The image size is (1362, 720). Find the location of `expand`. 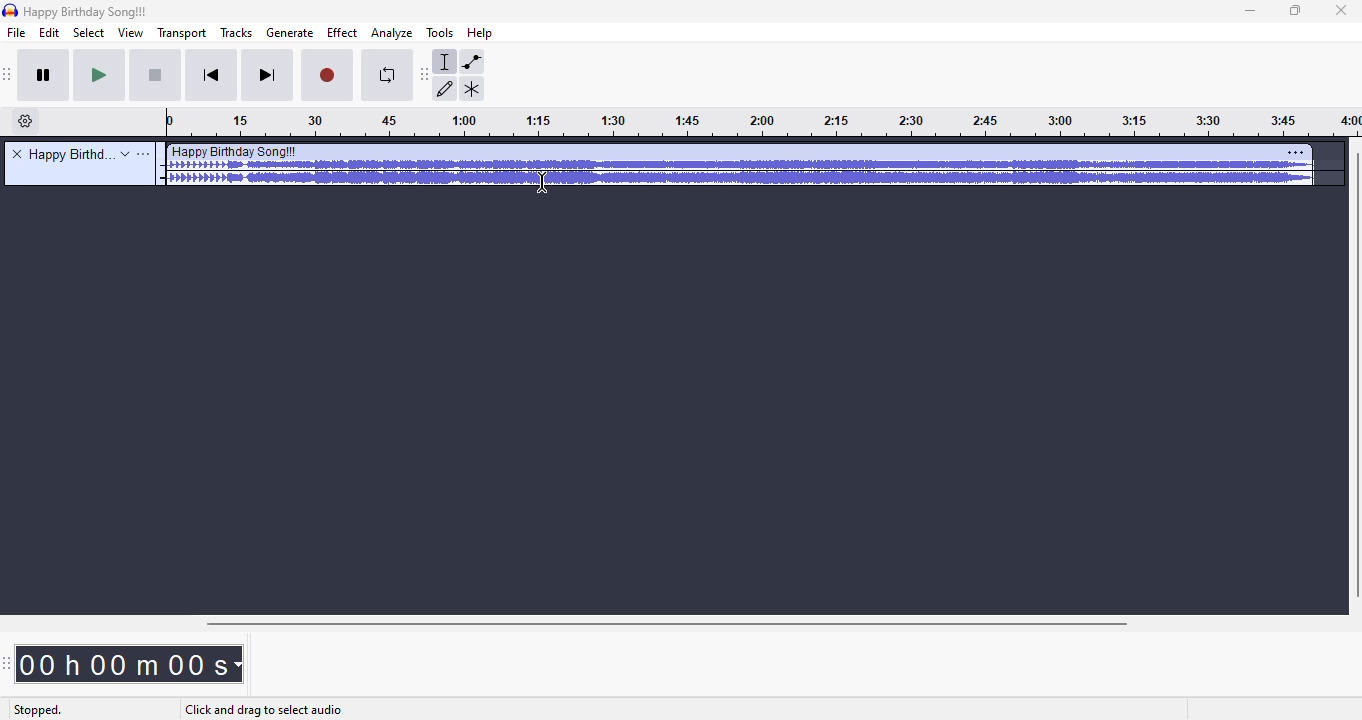

expand is located at coordinates (125, 154).